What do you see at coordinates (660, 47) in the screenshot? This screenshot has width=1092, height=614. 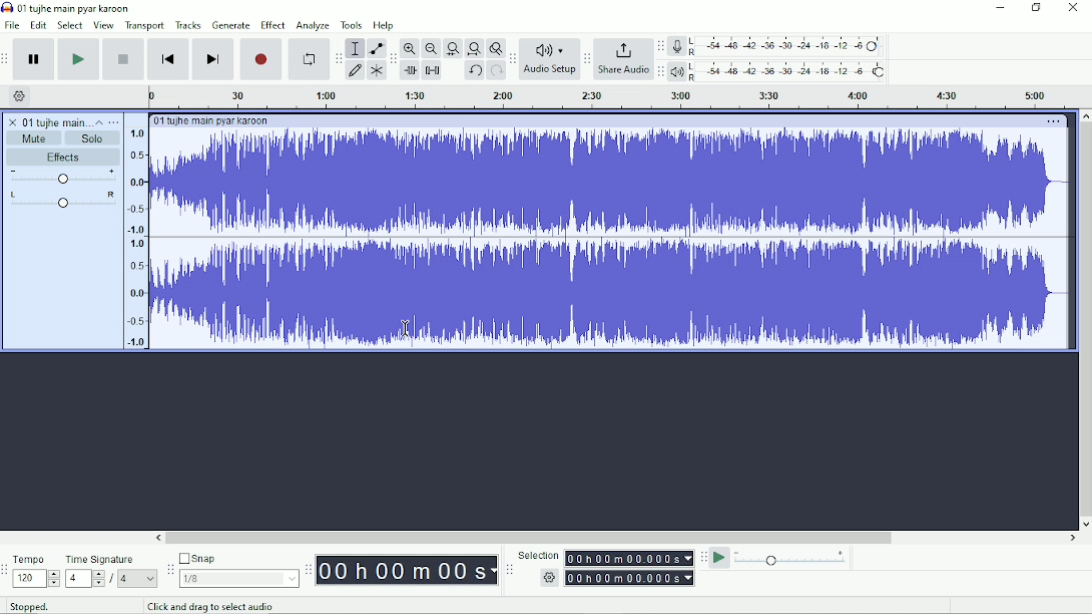 I see `Audacity record meter toolbar` at bounding box center [660, 47].